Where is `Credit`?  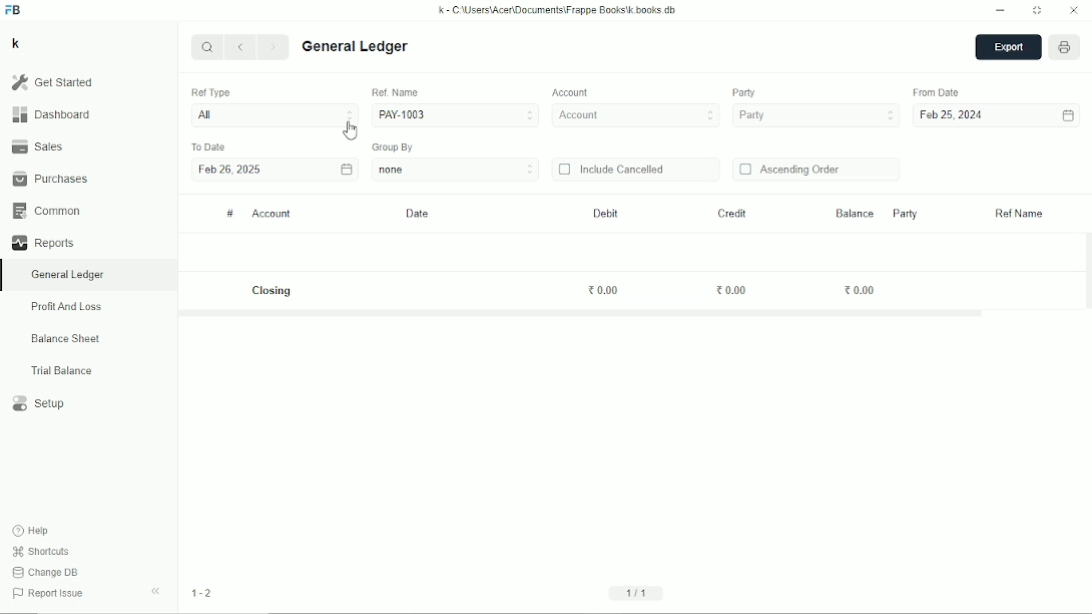 Credit is located at coordinates (731, 214).